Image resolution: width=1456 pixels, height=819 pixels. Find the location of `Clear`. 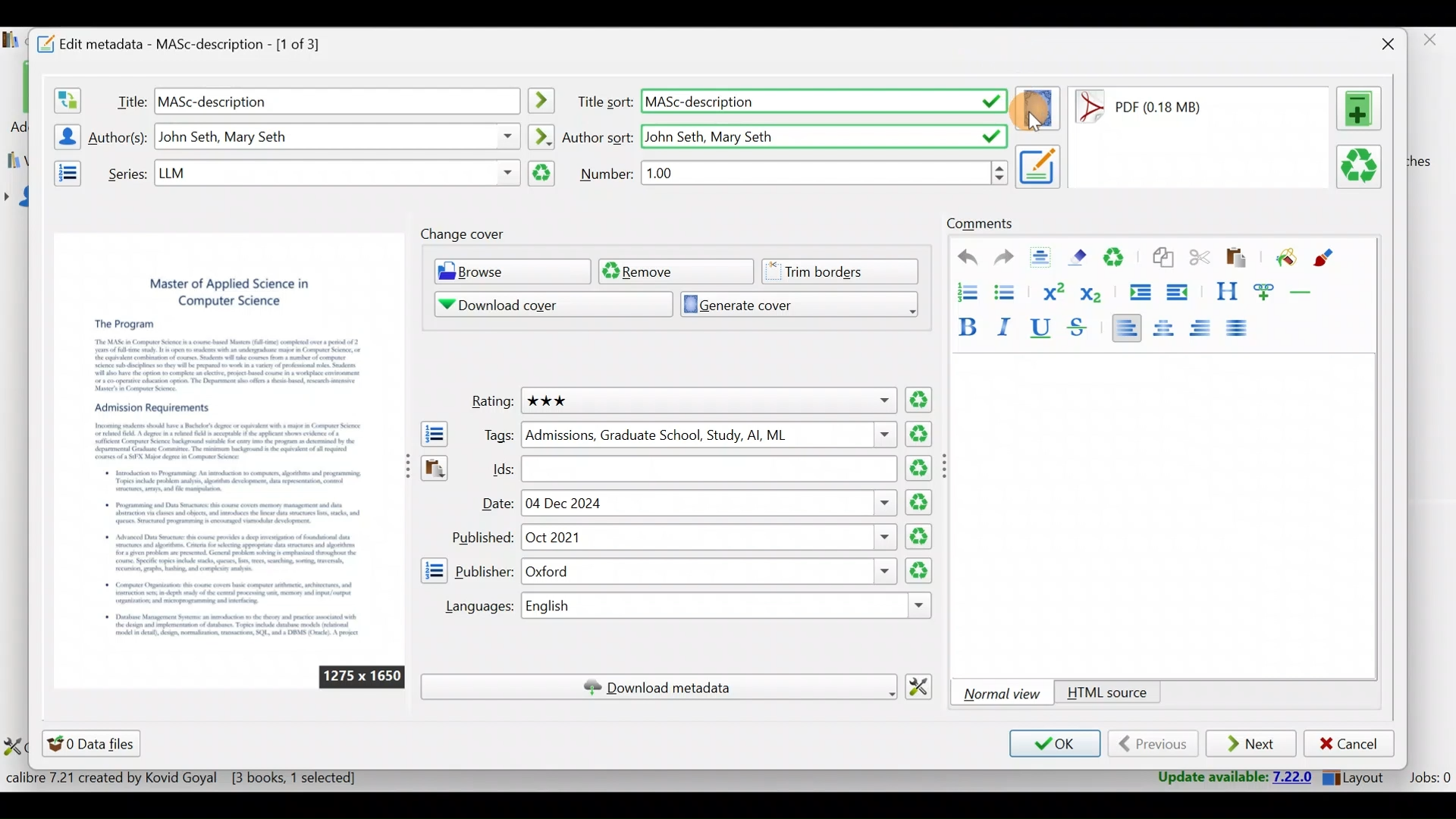

Clear is located at coordinates (1120, 259).